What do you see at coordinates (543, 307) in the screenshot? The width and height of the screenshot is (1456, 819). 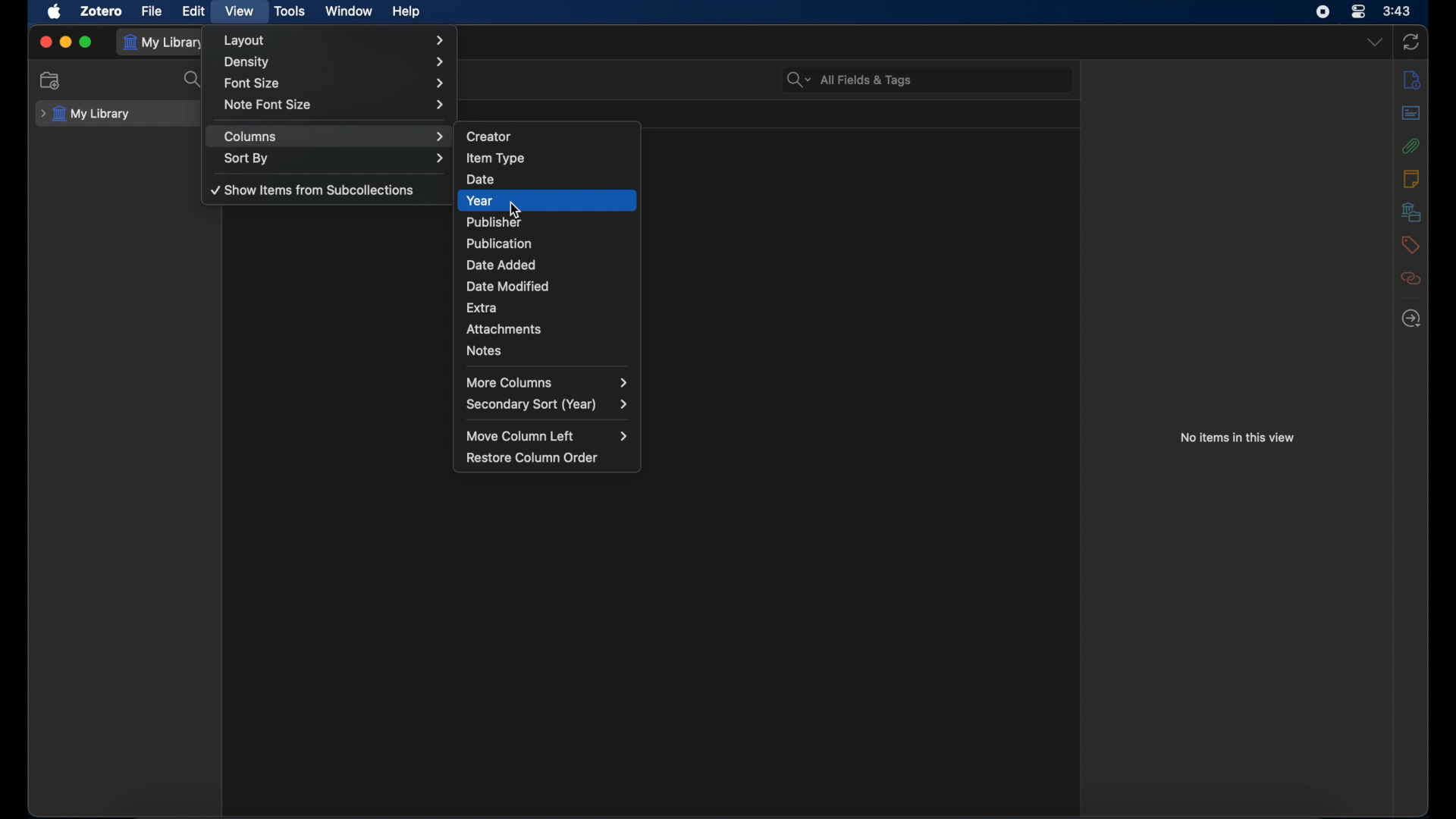 I see `extra` at bounding box center [543, 307].